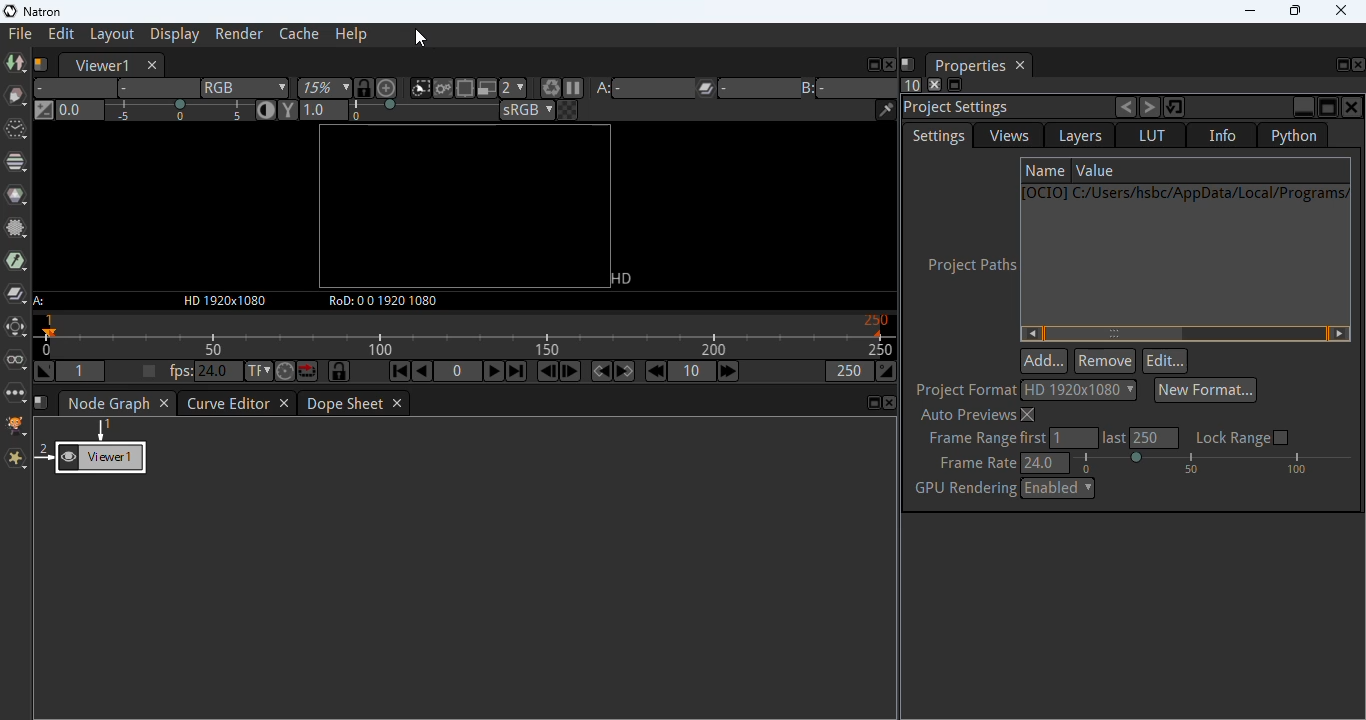 This screenshot has width=1366, height=720. Describe the element at coordinates (17, 195) in the screenshot. I see `color` at that location.